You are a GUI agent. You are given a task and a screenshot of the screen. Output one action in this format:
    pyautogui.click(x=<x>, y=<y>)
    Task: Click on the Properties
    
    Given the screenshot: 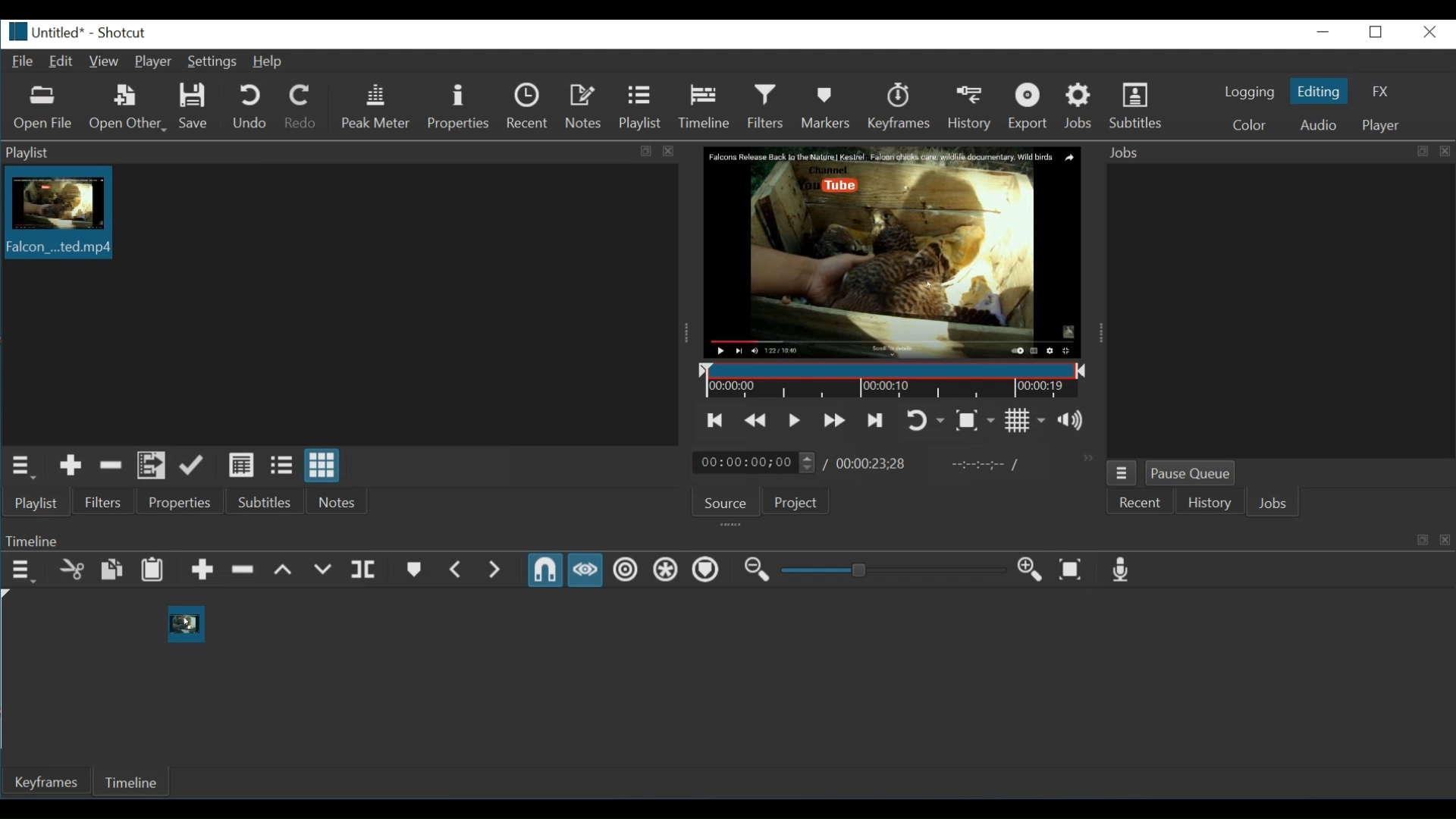 What is the action you would take?
    pyautogui.click(x=458, y=108)
    